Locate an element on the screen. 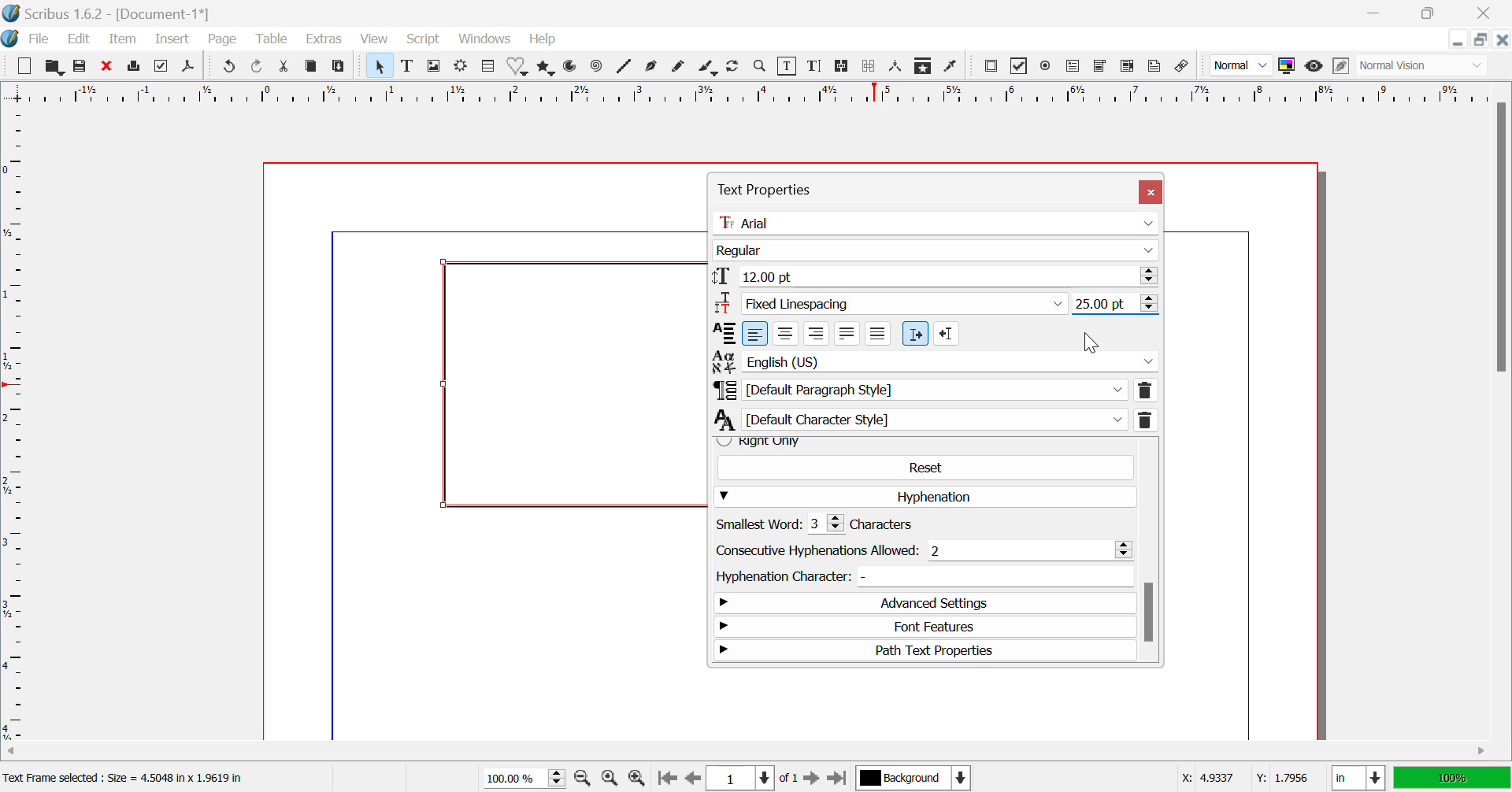 The width and height of the screenshot is (1512, 792). Vertical Scroll Bar is located at coordinates (1499, 418).